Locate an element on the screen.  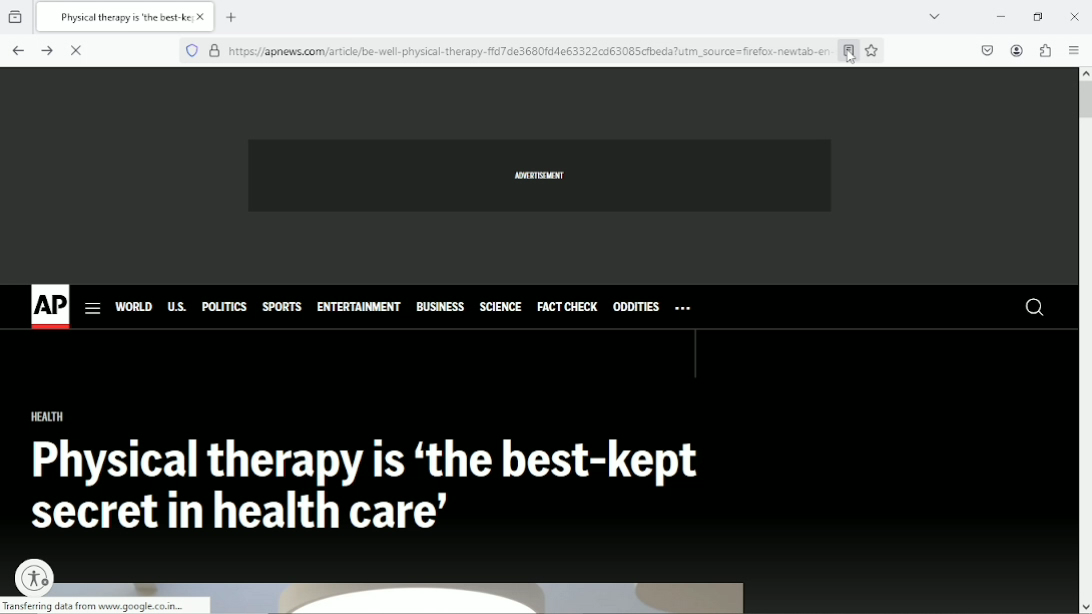
Transferring data from www.google.com is located at coordinates (111, 605).